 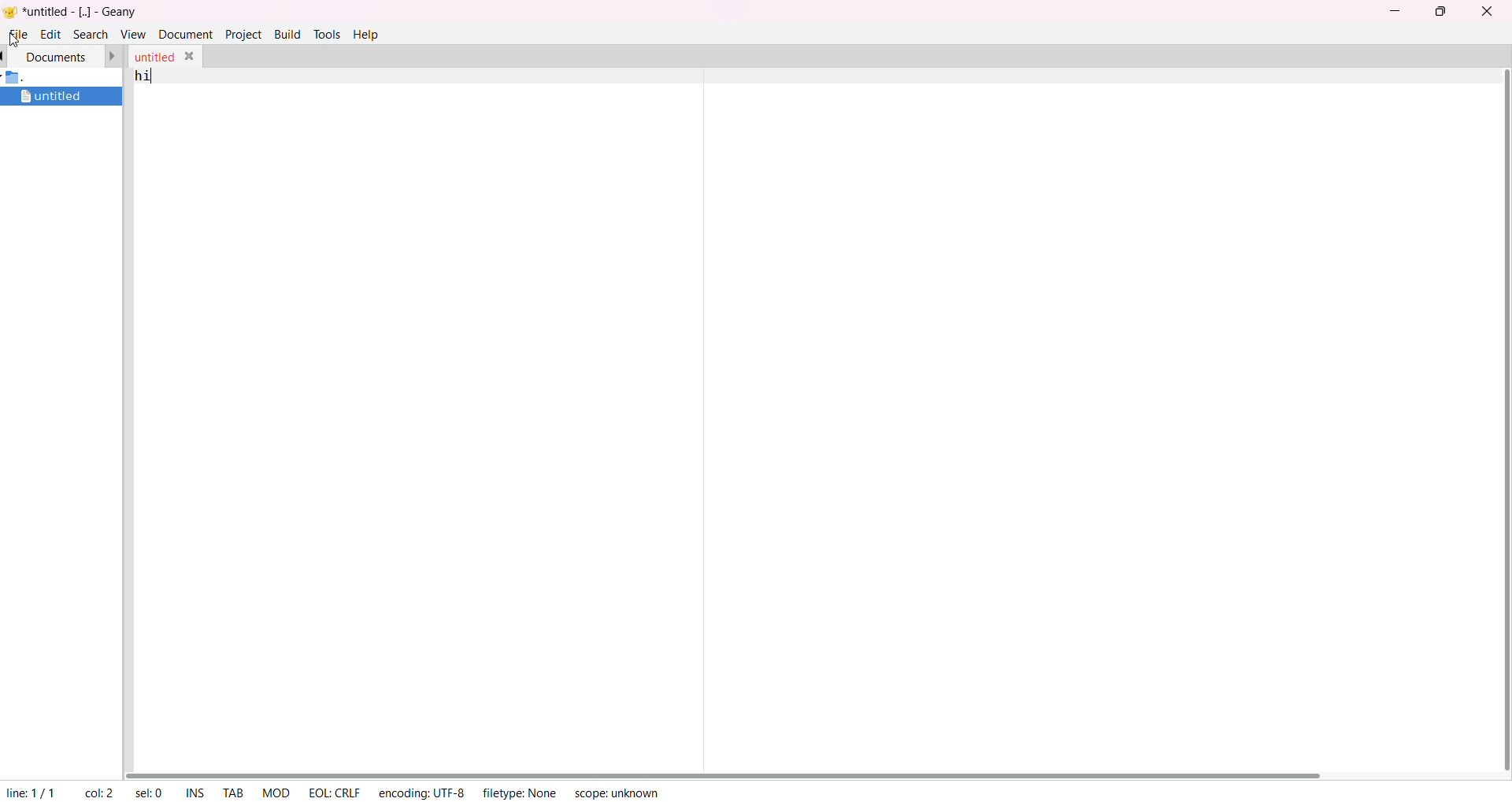 I want to click on document, so click(x=185, y=33).